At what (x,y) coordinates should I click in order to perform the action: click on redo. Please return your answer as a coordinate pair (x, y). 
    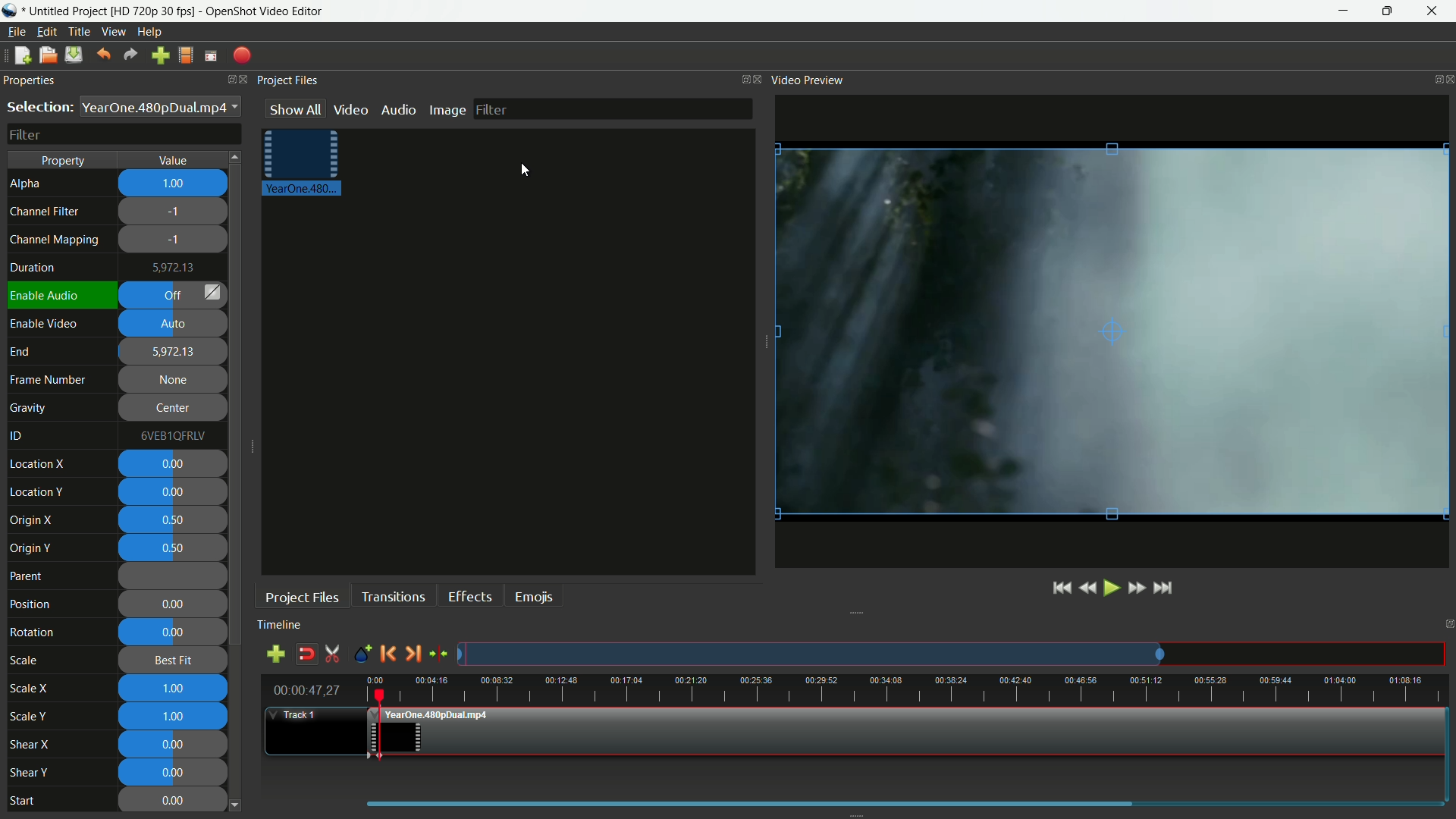
    Looking at the image, I should click on (130, 55).